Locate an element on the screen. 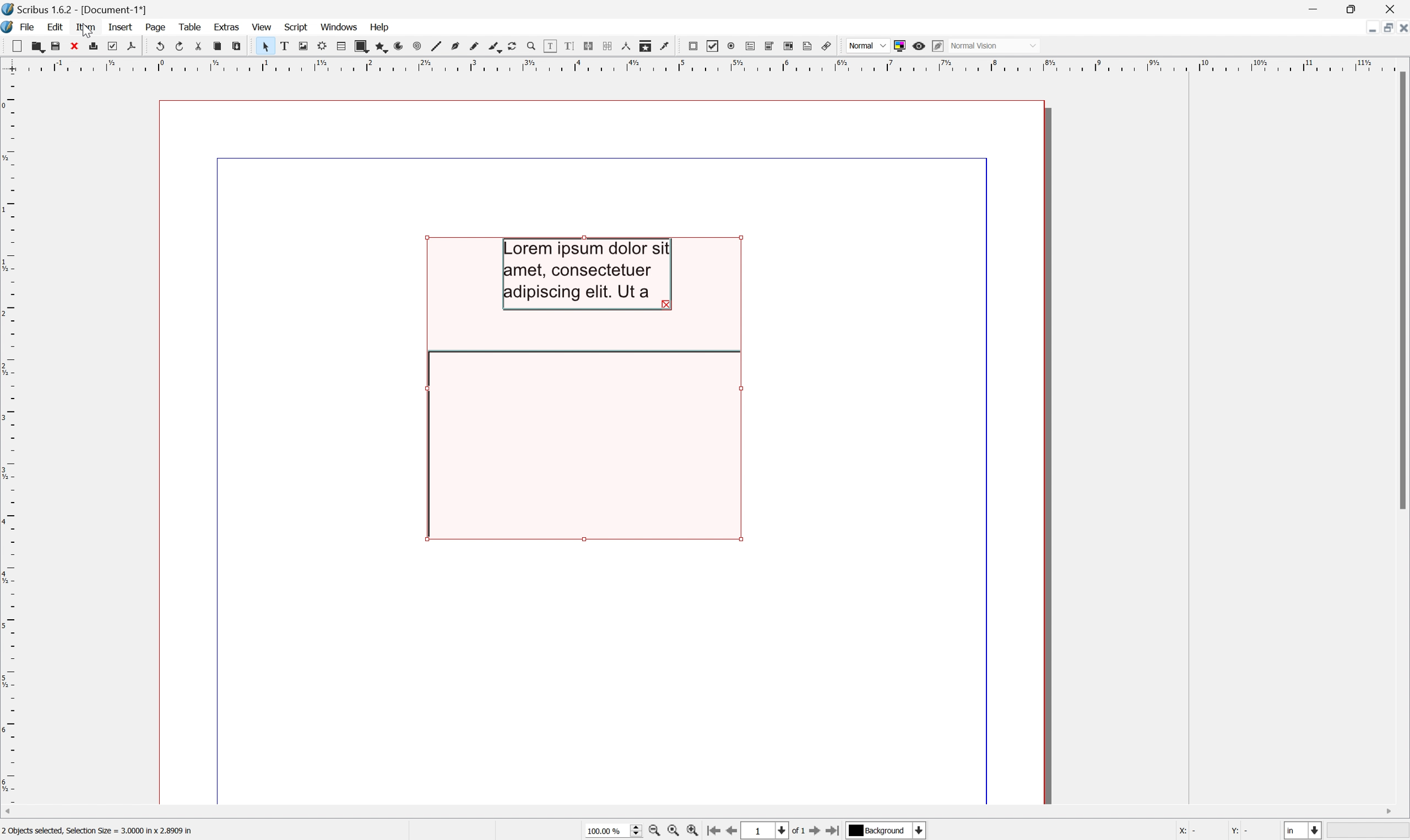  Edit is located at coordinates (54, 28).